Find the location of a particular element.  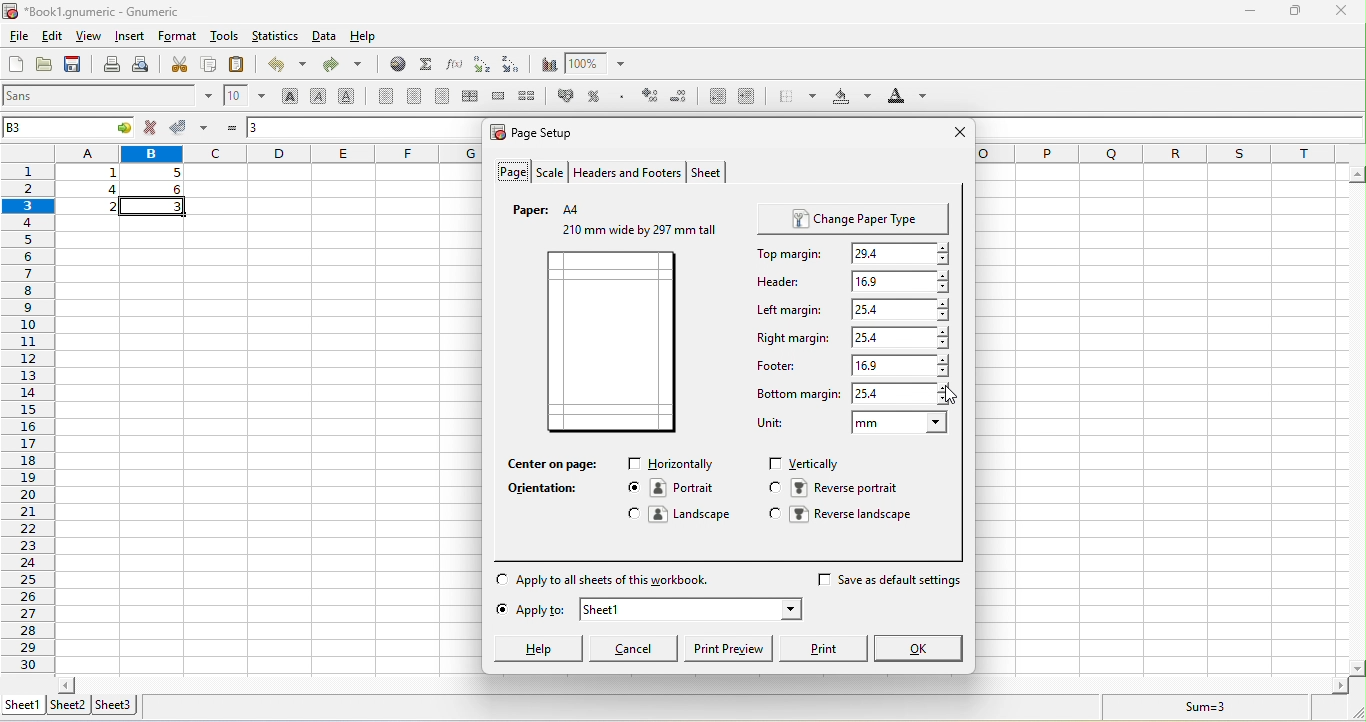

accept change is located at coordinates (192, 126).